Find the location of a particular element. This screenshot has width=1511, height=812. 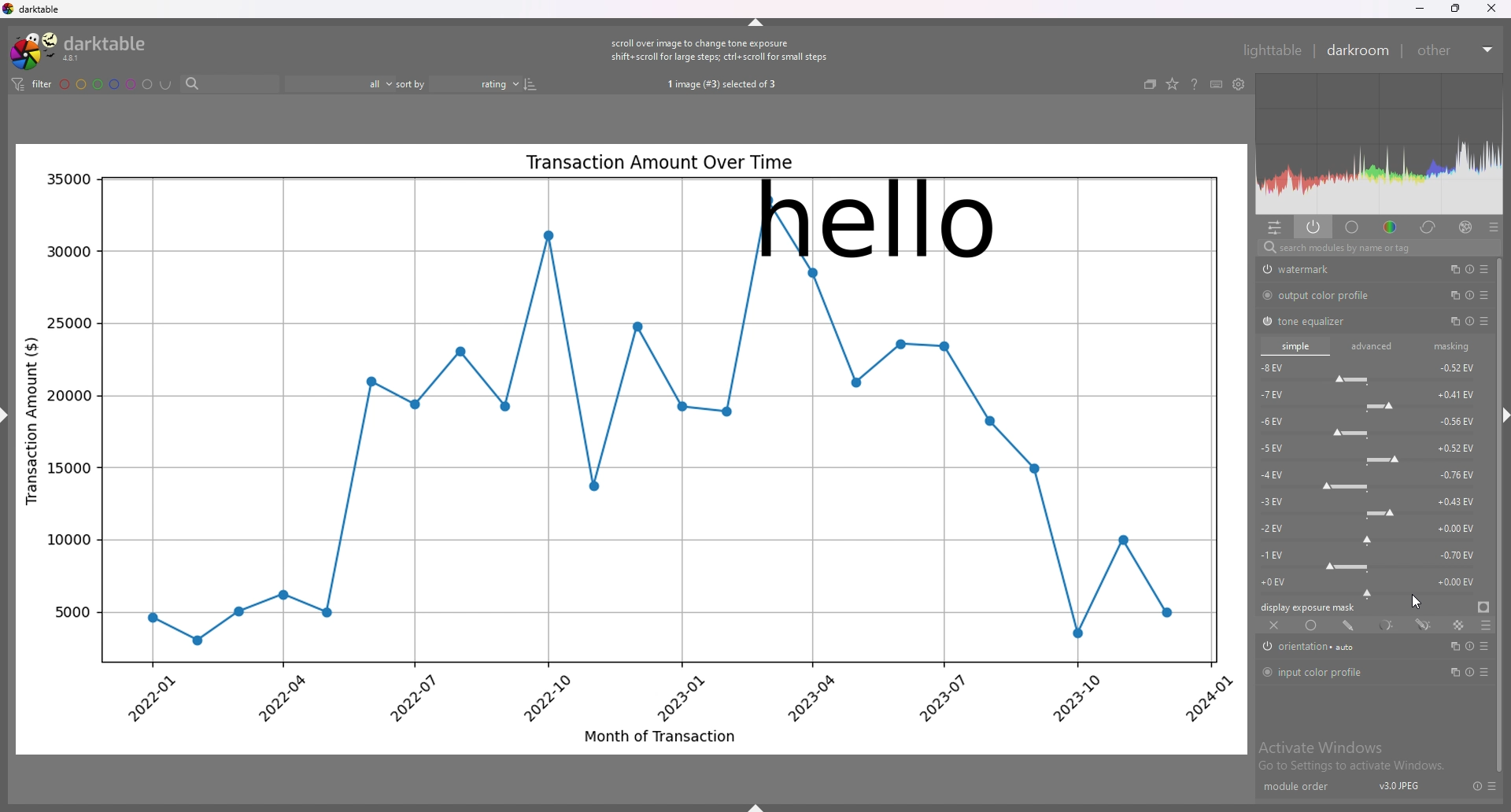

Transaction Amount Over Time is located at coordinates (659, 162).